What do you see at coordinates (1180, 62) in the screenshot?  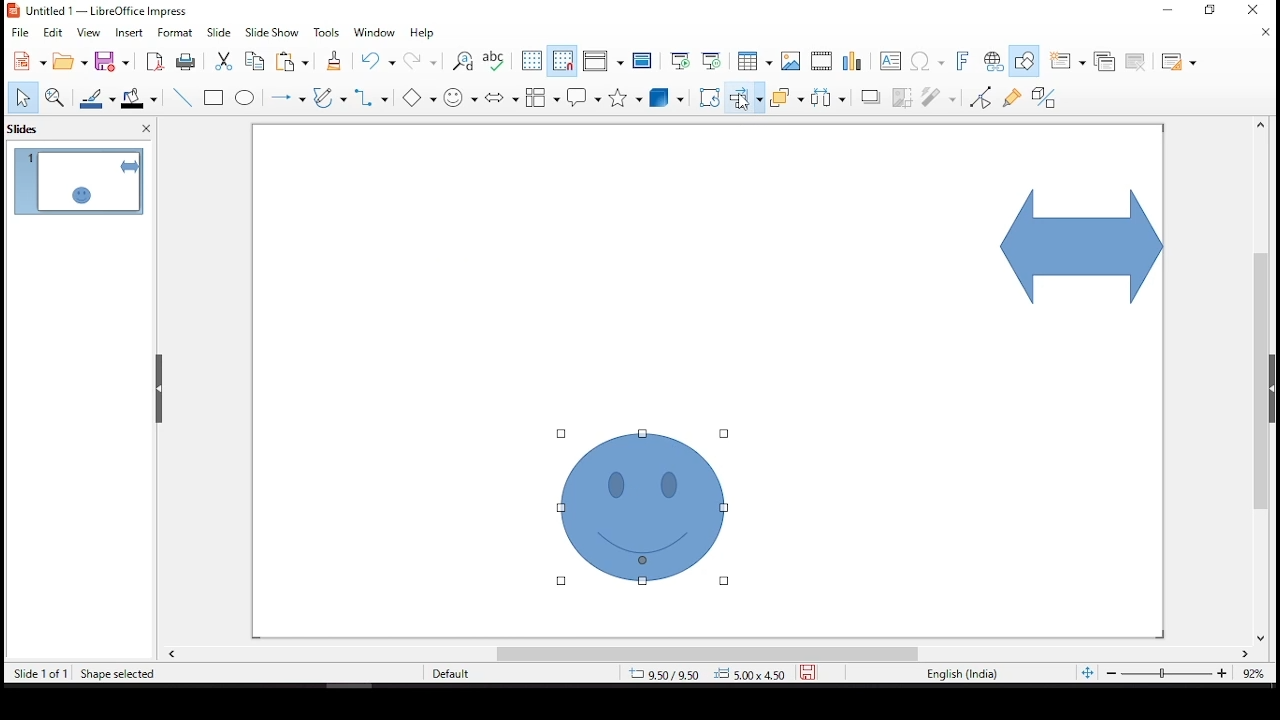 I see `slide layout` at bounding box center [1180, 62].